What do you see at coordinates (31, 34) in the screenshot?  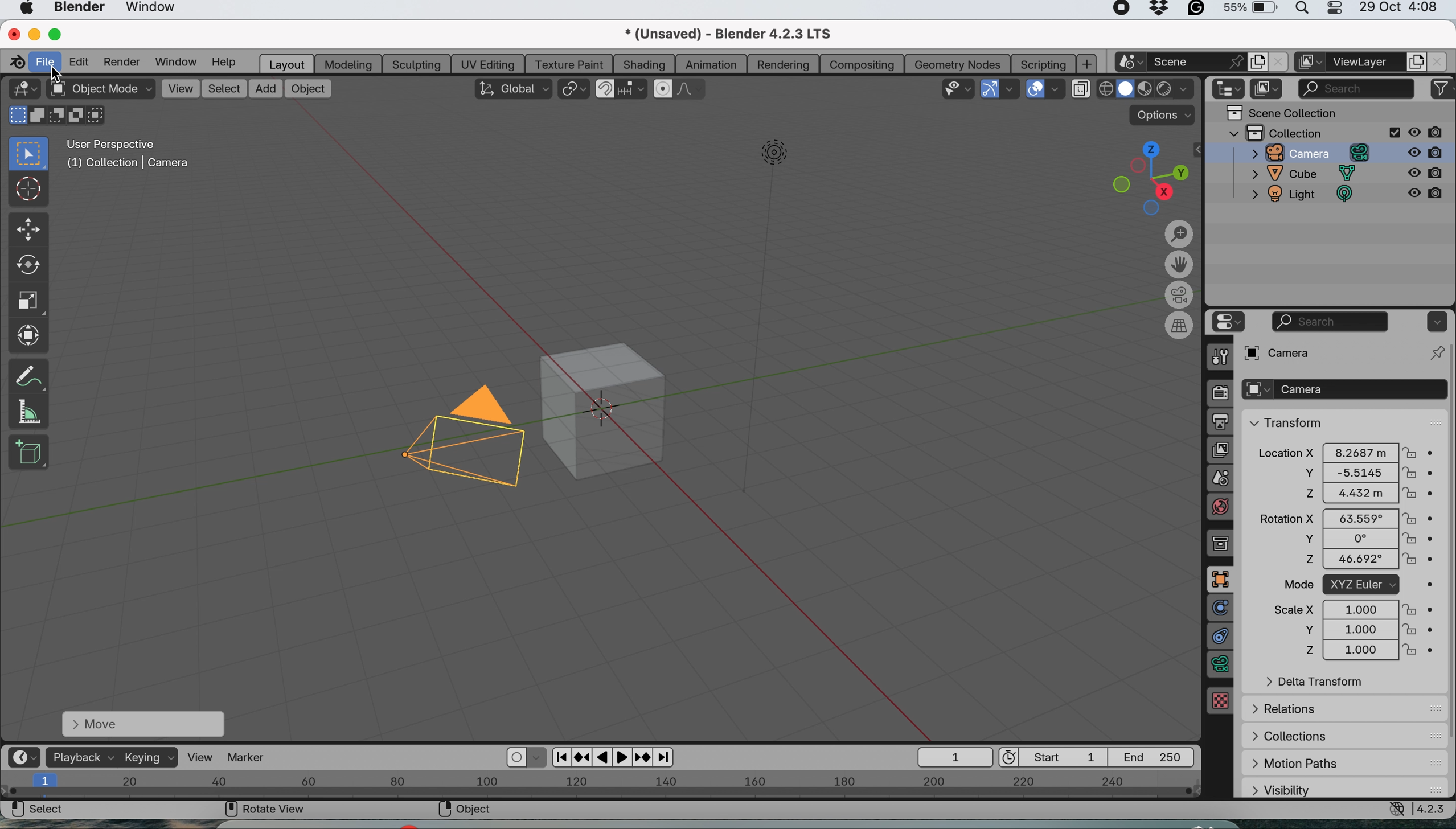 I see `minimise` at bounding box center [31, 34].